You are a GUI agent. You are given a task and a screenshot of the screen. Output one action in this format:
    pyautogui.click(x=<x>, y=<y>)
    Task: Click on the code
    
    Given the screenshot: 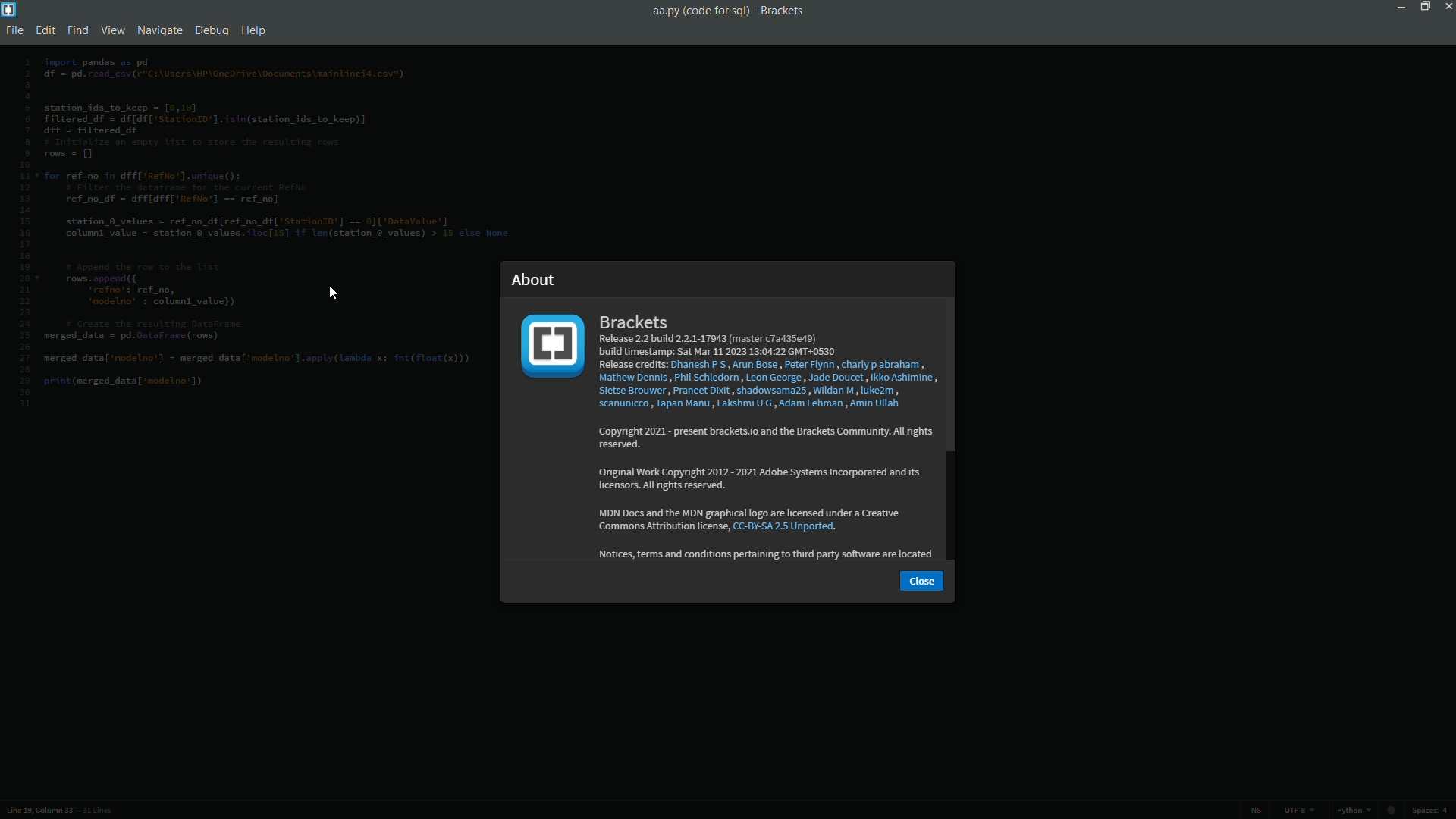 What is the action you would take?
    pyautogui.click(x=259, y=224)
    